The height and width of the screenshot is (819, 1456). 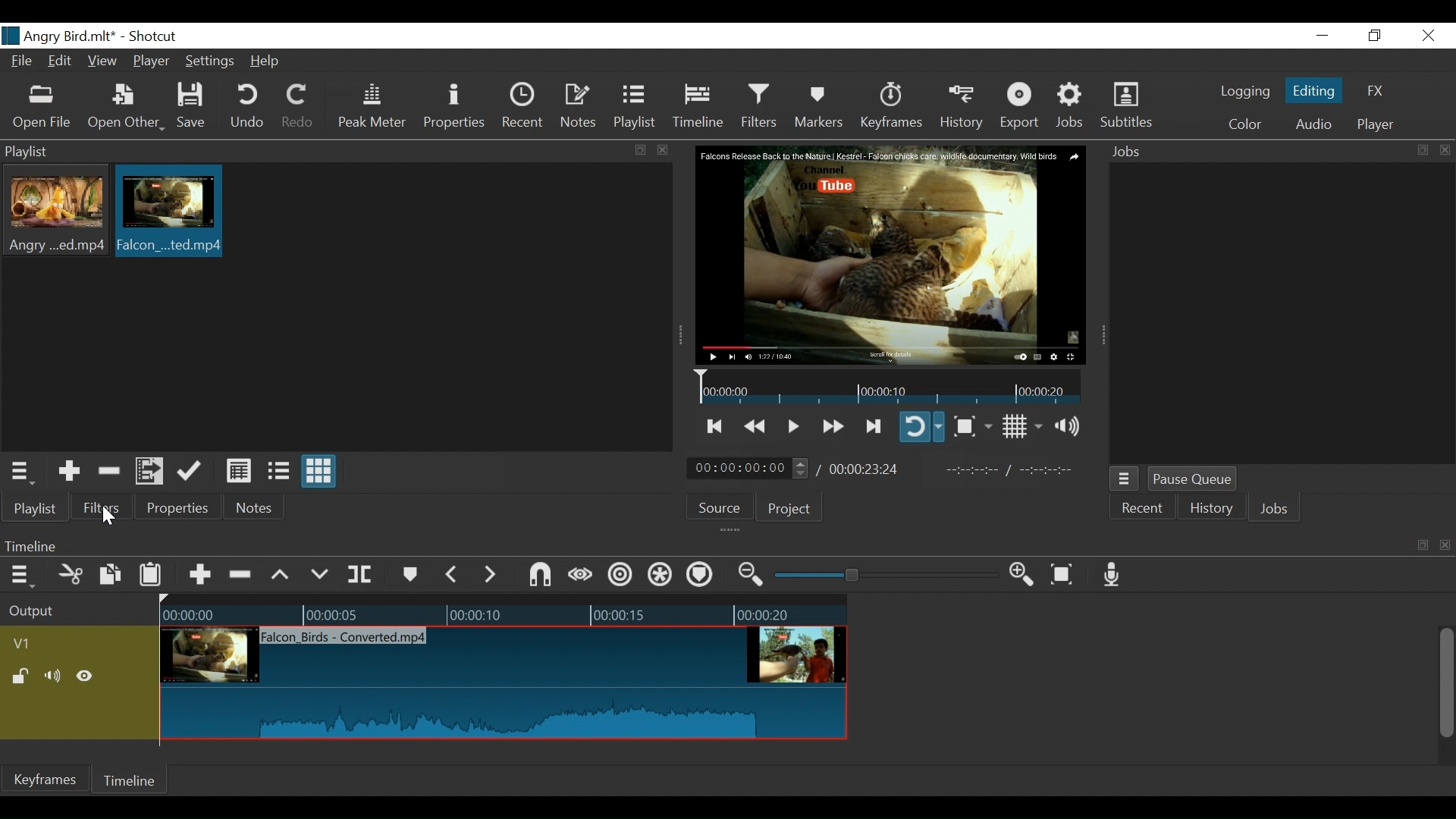 What do you see at coordinates (1376, 125) in the screenshot?
I see `Player` at bounding box center [1376, 125].